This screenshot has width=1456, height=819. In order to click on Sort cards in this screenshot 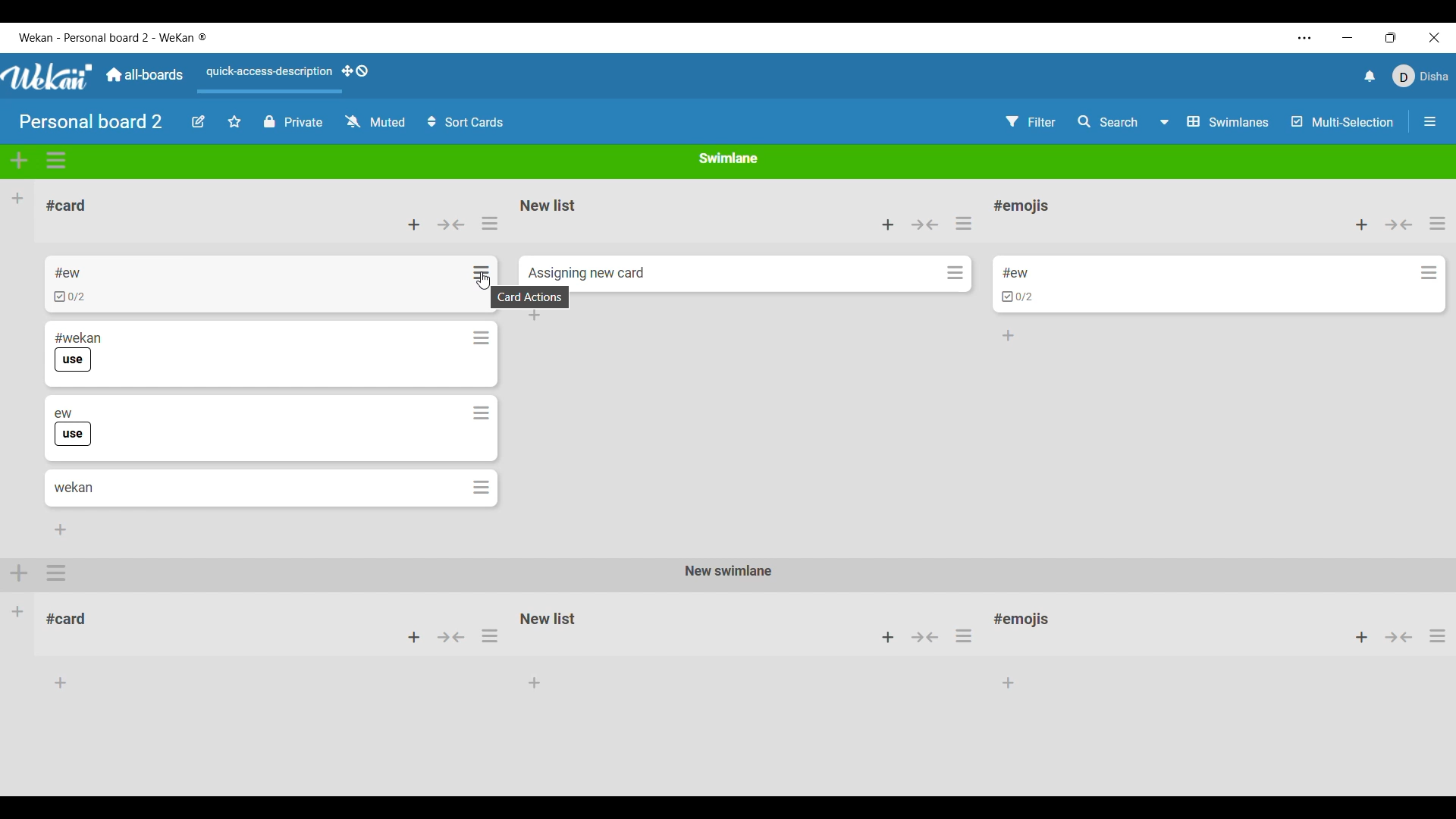, I will do `click(465, 122)`.